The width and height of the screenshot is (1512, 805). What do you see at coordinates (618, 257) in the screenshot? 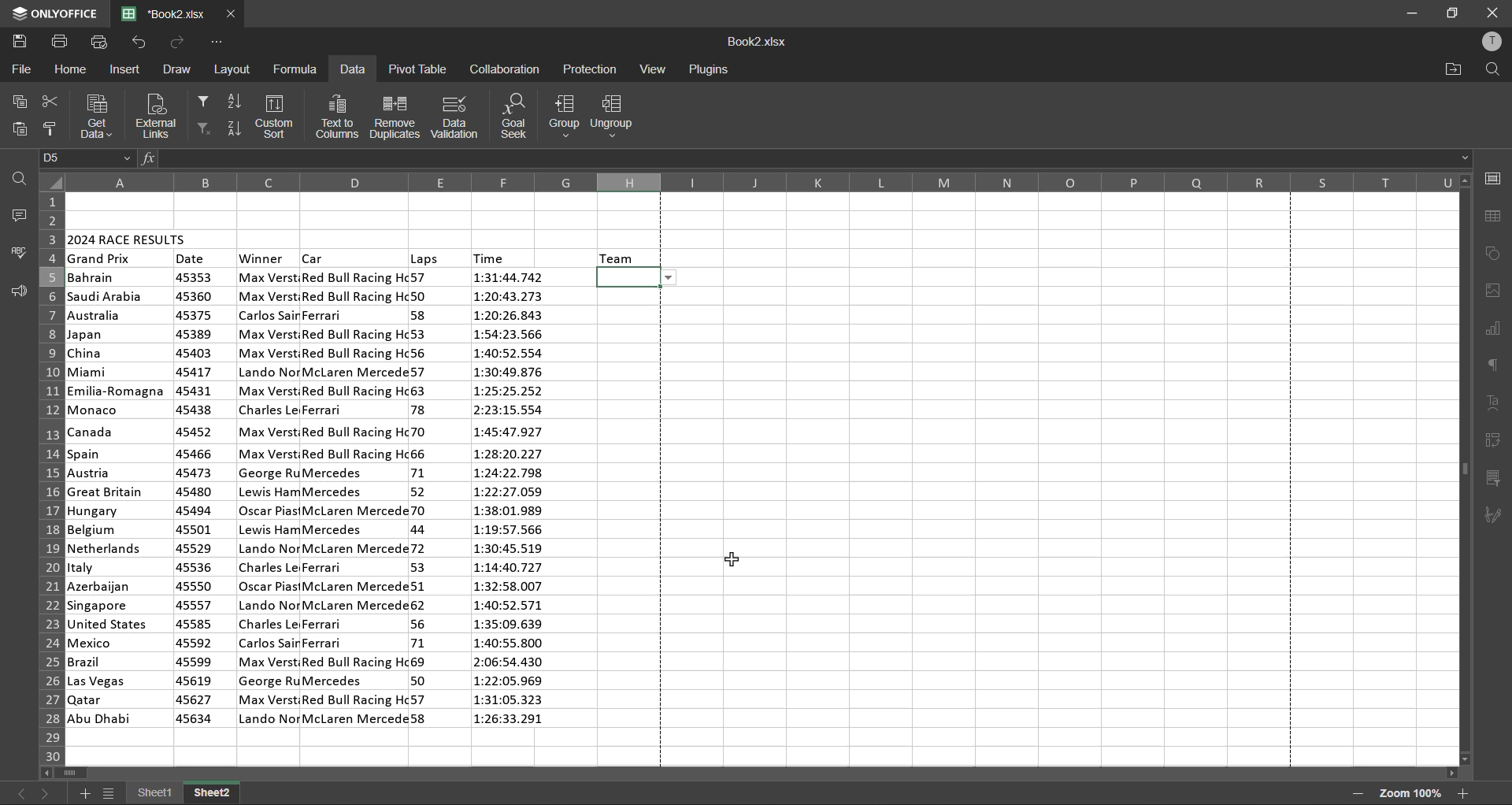
I see `team` at bounding box center [618, 257].